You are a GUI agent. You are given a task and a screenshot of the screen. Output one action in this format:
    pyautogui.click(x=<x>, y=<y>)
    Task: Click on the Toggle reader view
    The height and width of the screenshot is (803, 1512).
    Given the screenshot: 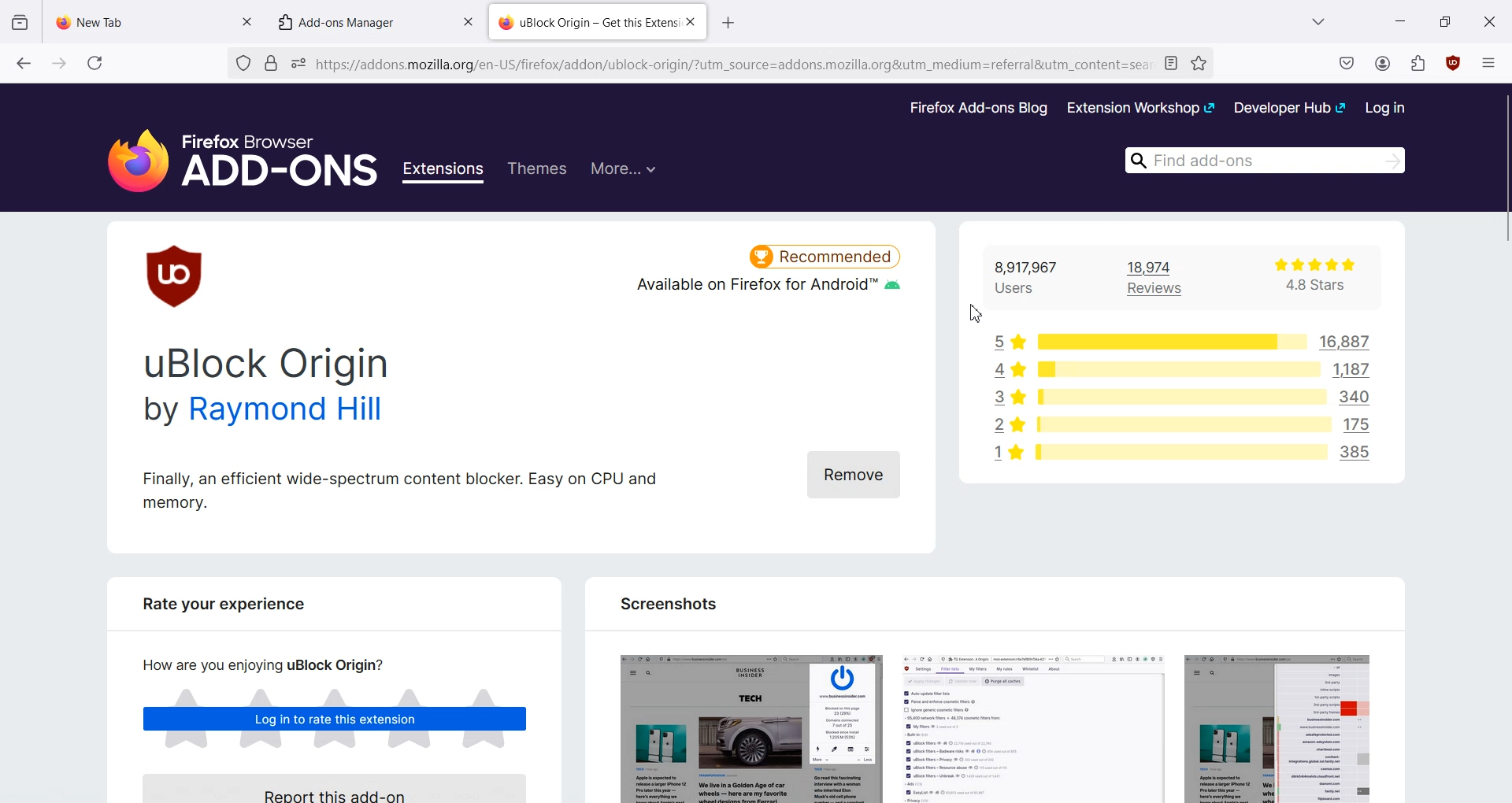 What is the action you would take?
    pyautogui.click(x=1174, y=62)
    